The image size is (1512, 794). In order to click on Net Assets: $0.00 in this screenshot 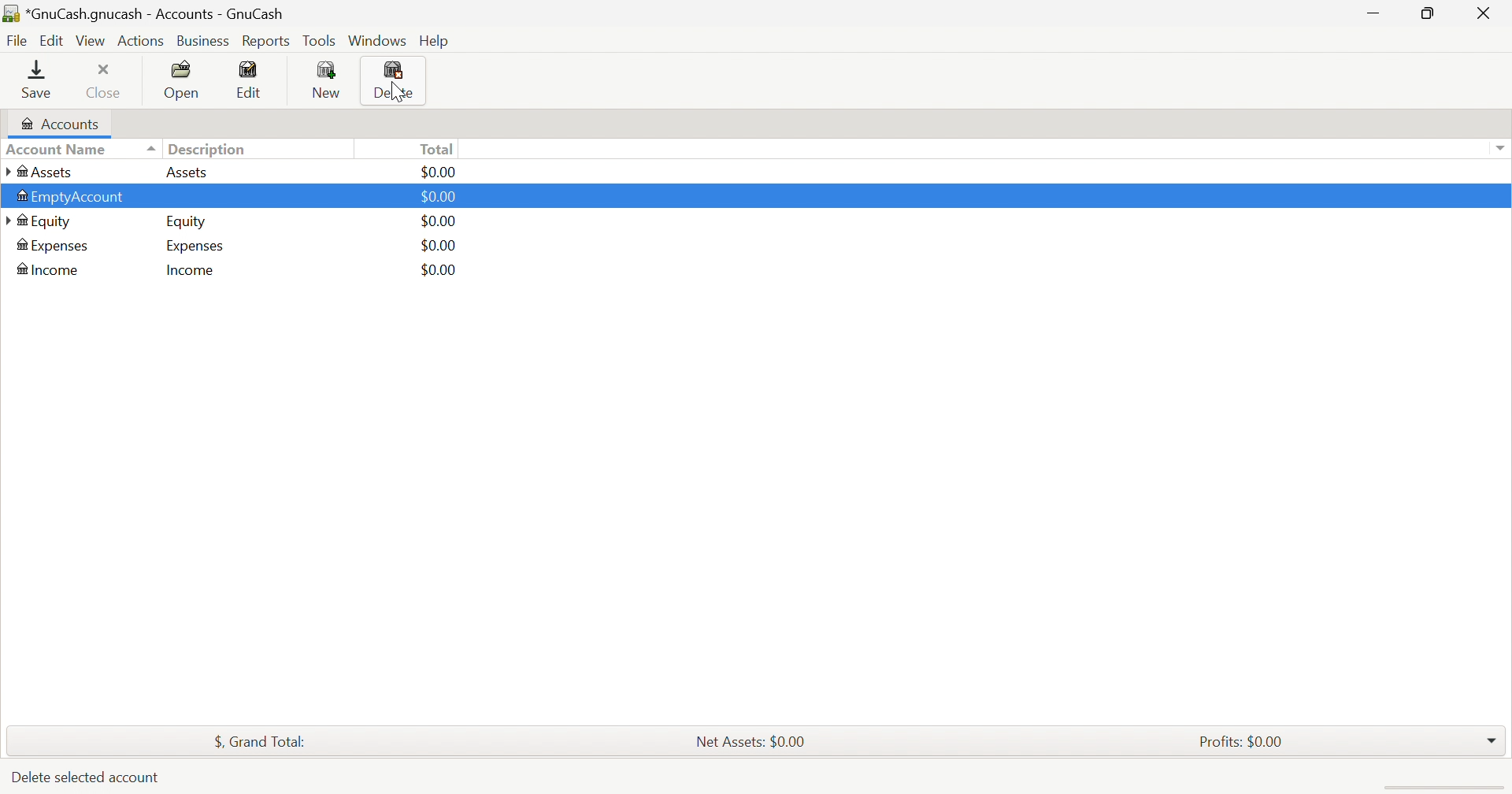, I will do `click(744, 740)`.